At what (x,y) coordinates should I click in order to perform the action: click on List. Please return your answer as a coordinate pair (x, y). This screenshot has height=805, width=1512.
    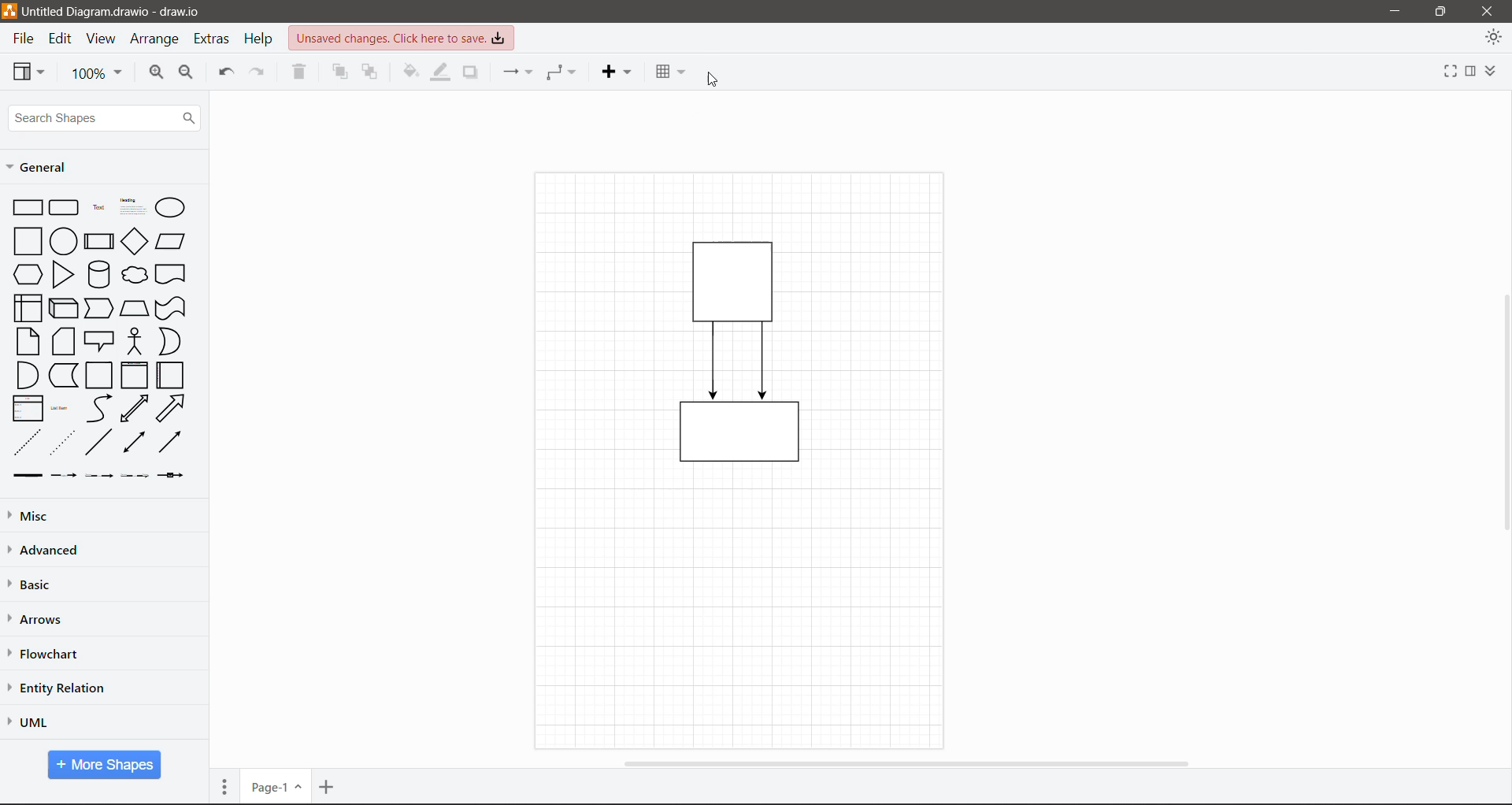
    Looking at the image, I should click on (25, 407).